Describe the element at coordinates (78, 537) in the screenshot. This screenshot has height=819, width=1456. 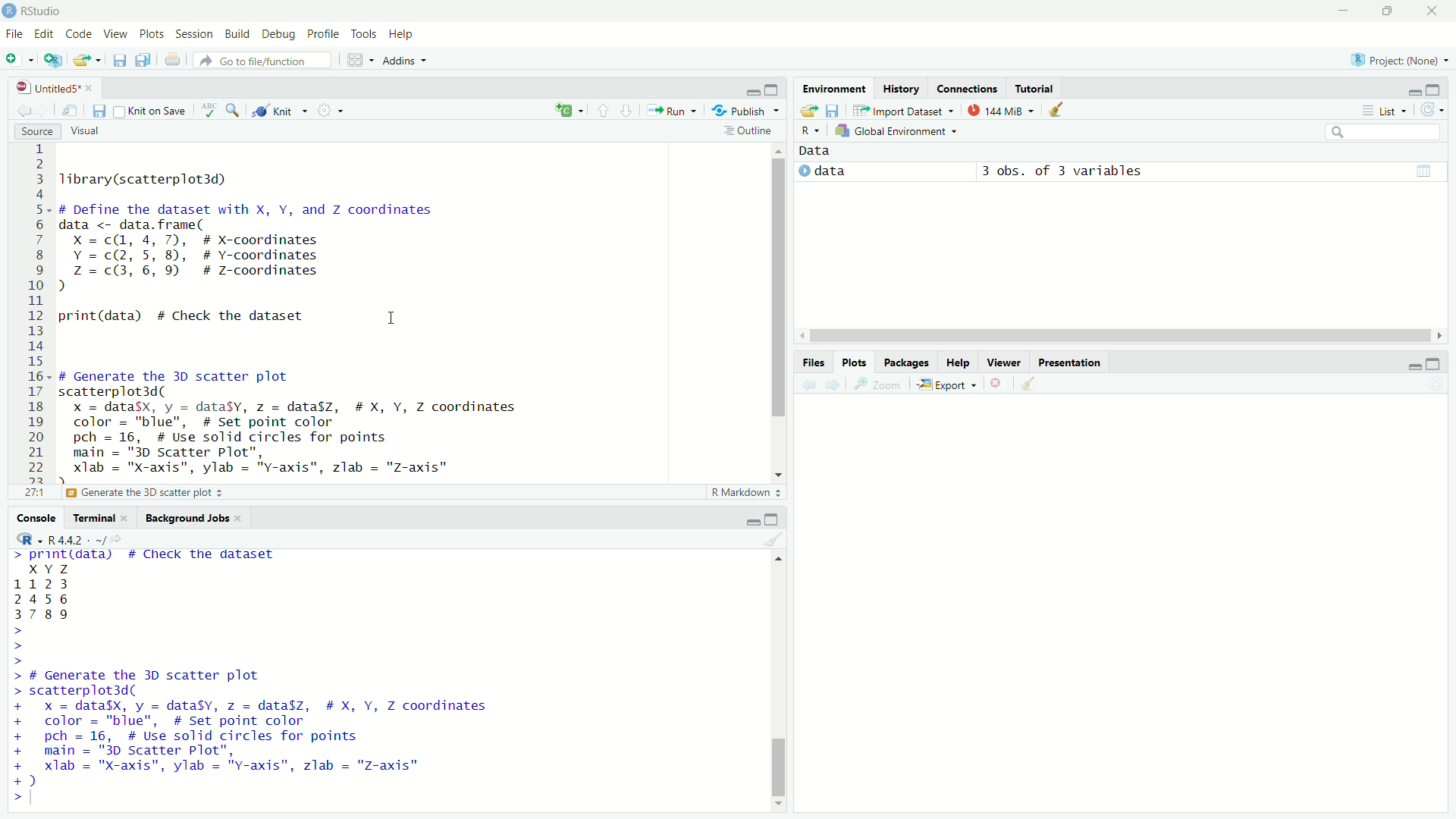
I see `+R442 - ~/` at that location.